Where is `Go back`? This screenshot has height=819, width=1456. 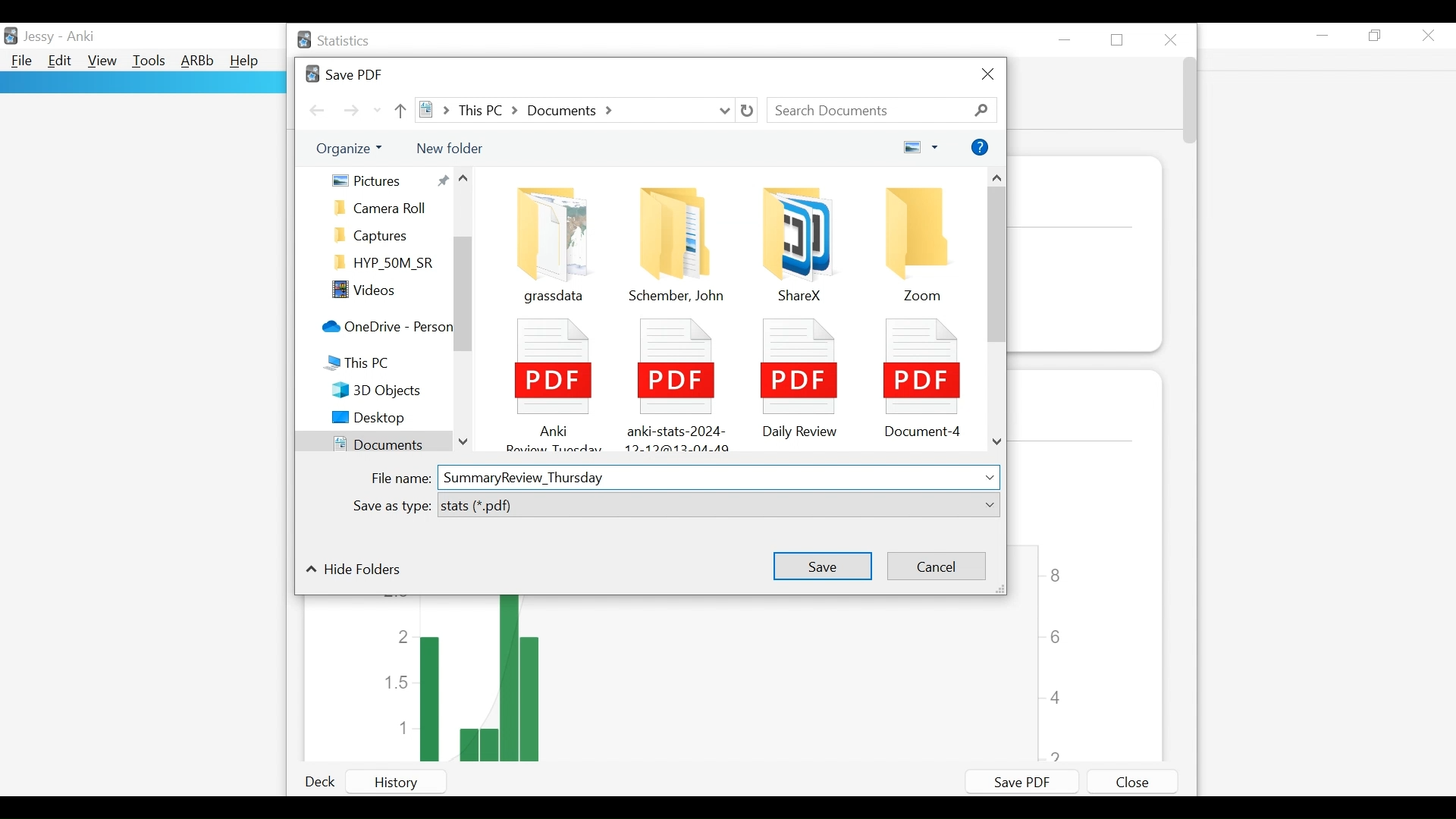 Go back is located at coordinates (317, 109).